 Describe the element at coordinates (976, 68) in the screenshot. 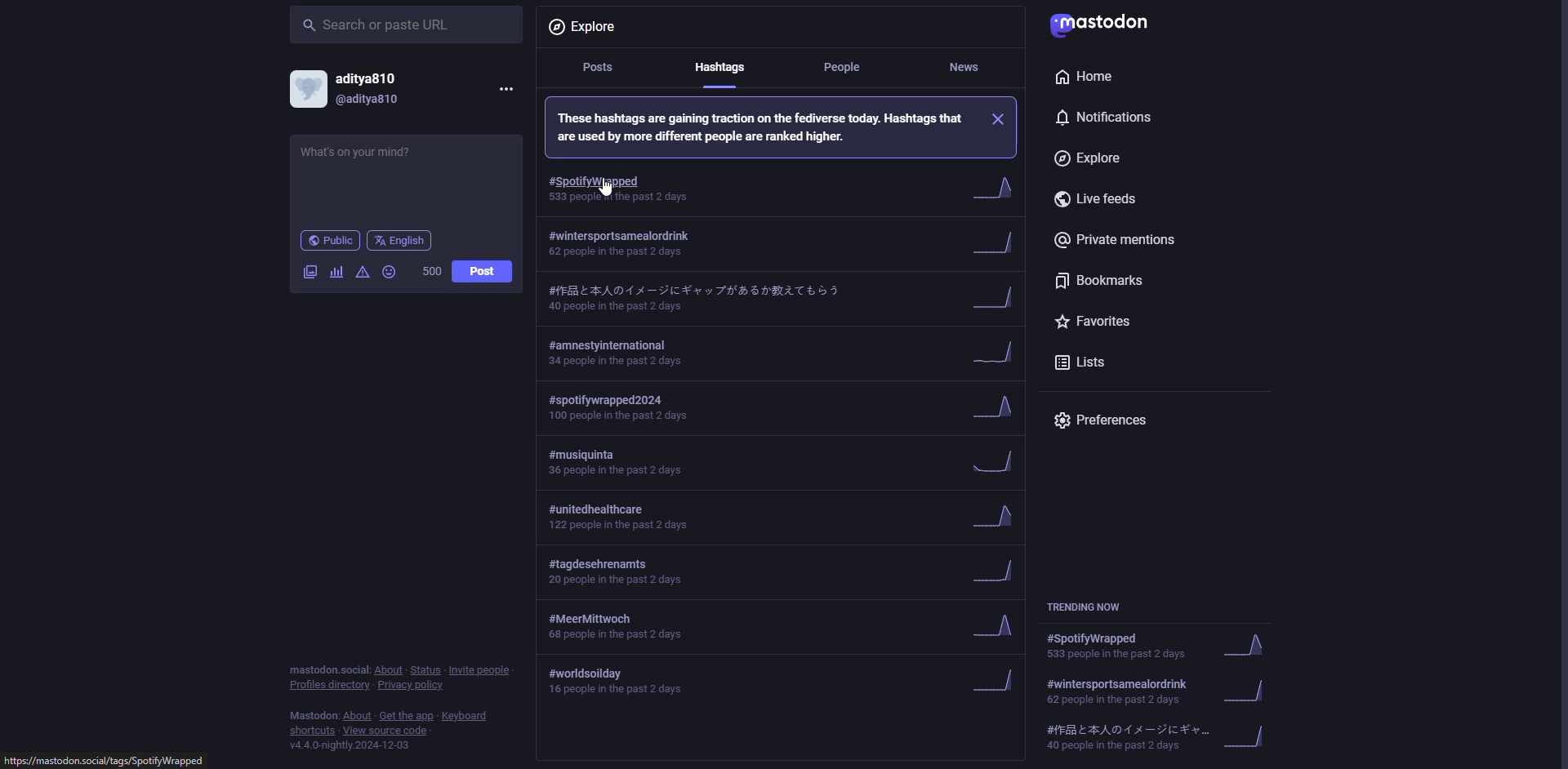

I see `news` at that location.